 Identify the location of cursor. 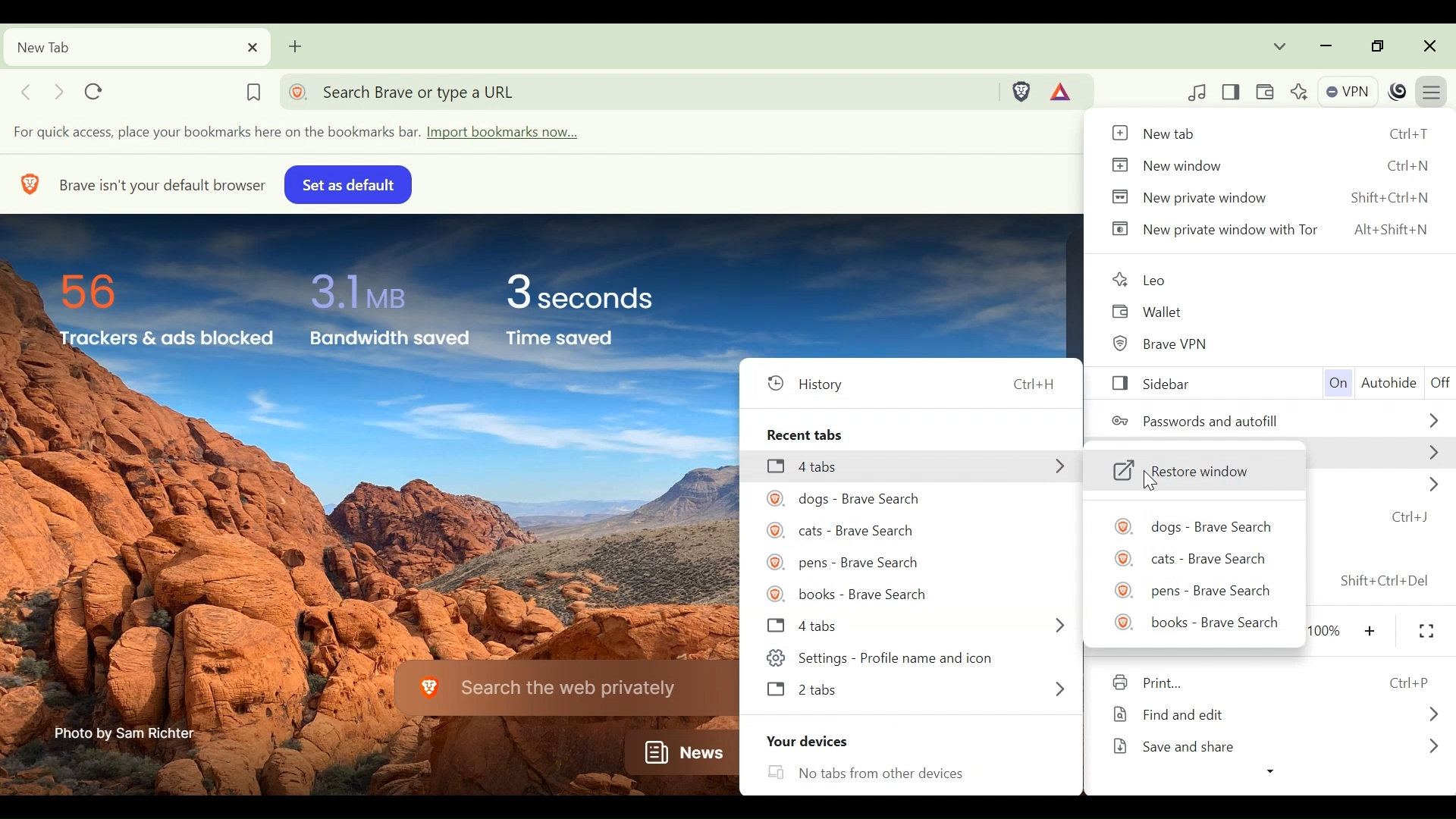
(1154, 482).